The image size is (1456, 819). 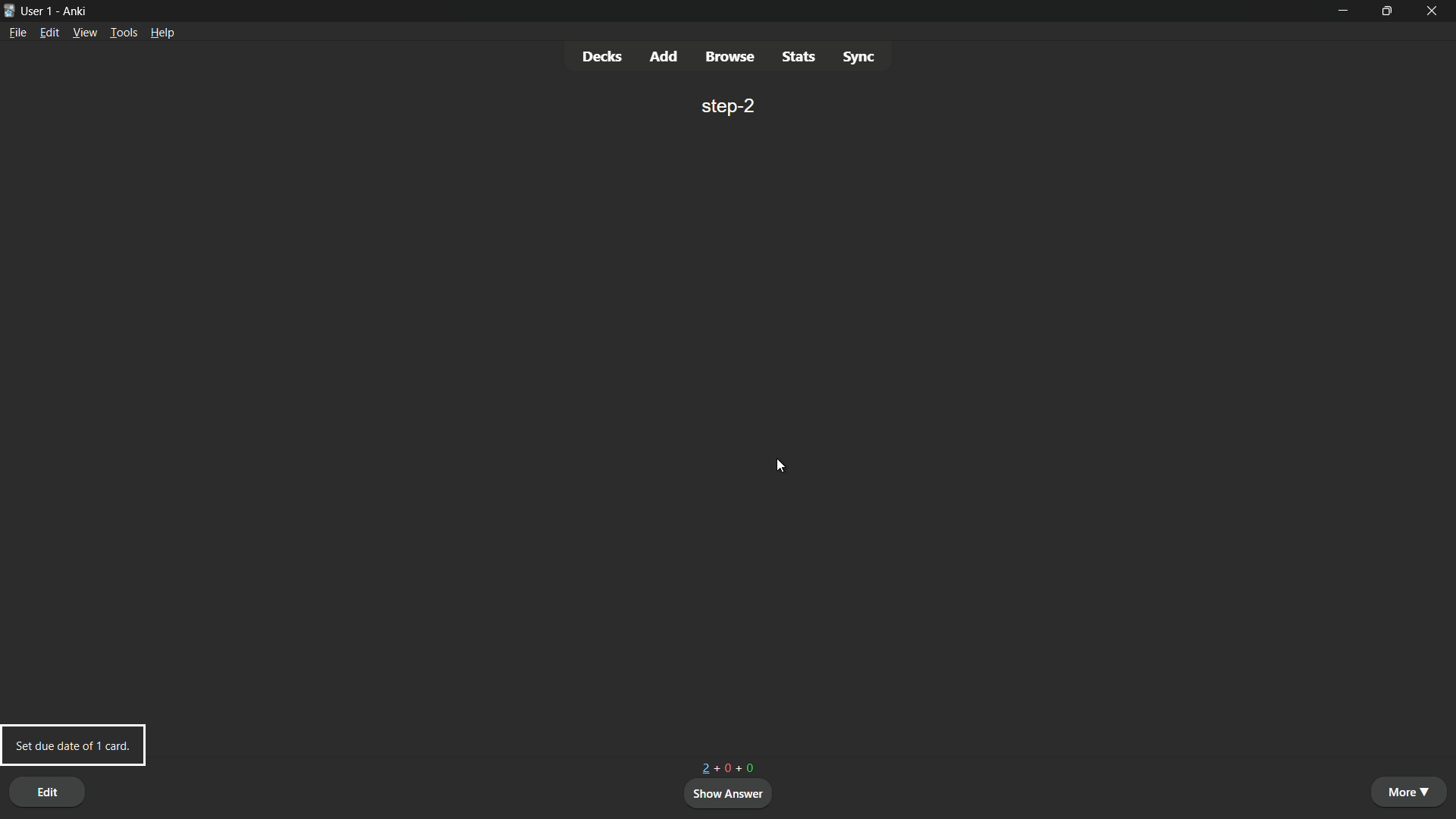 What do you see at coordinates (724, 770) in the screenshot?
I see `+0` at bounding box center [724, 770].